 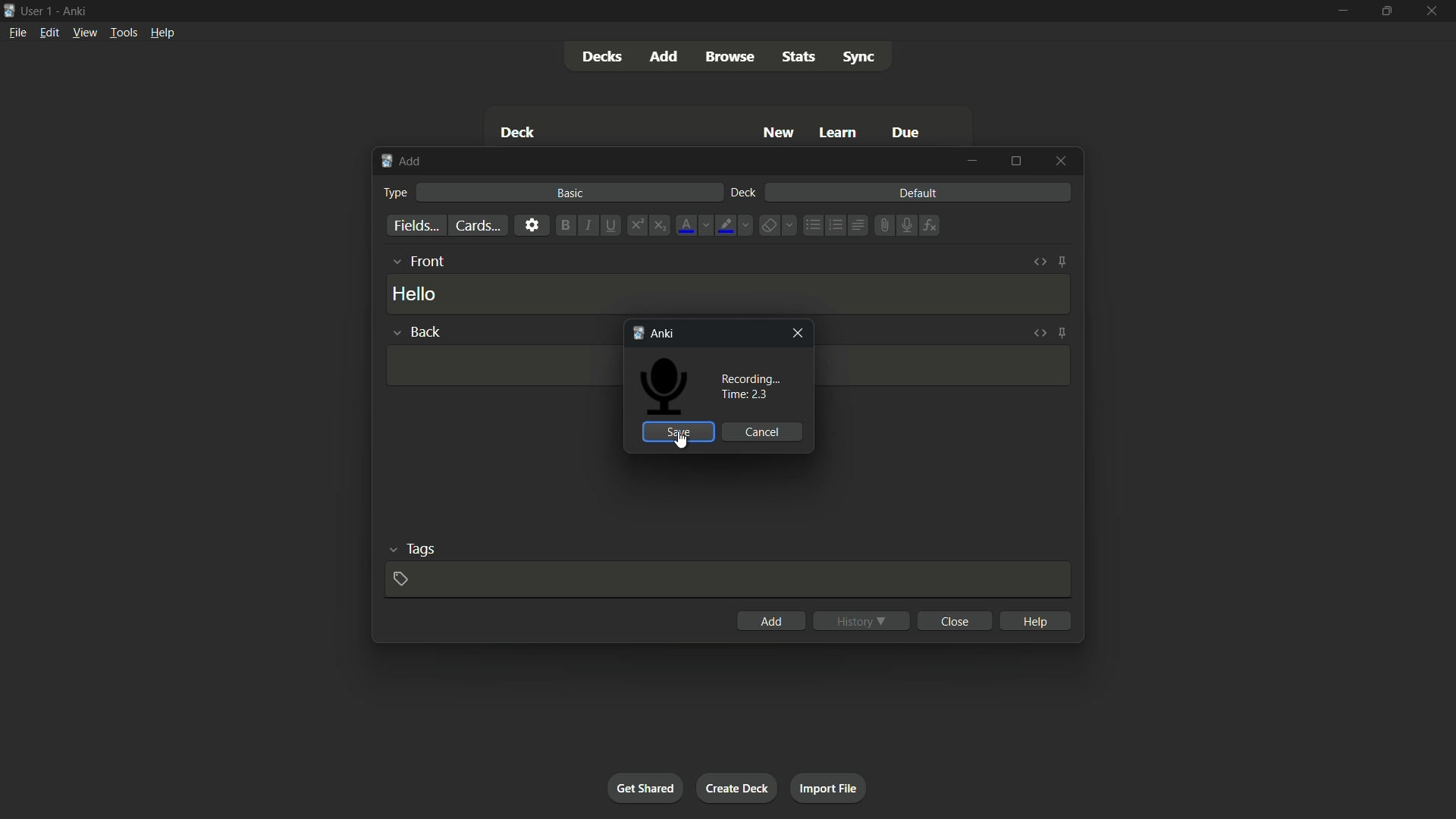 I want to click on tags, so click(x=413, y=548).